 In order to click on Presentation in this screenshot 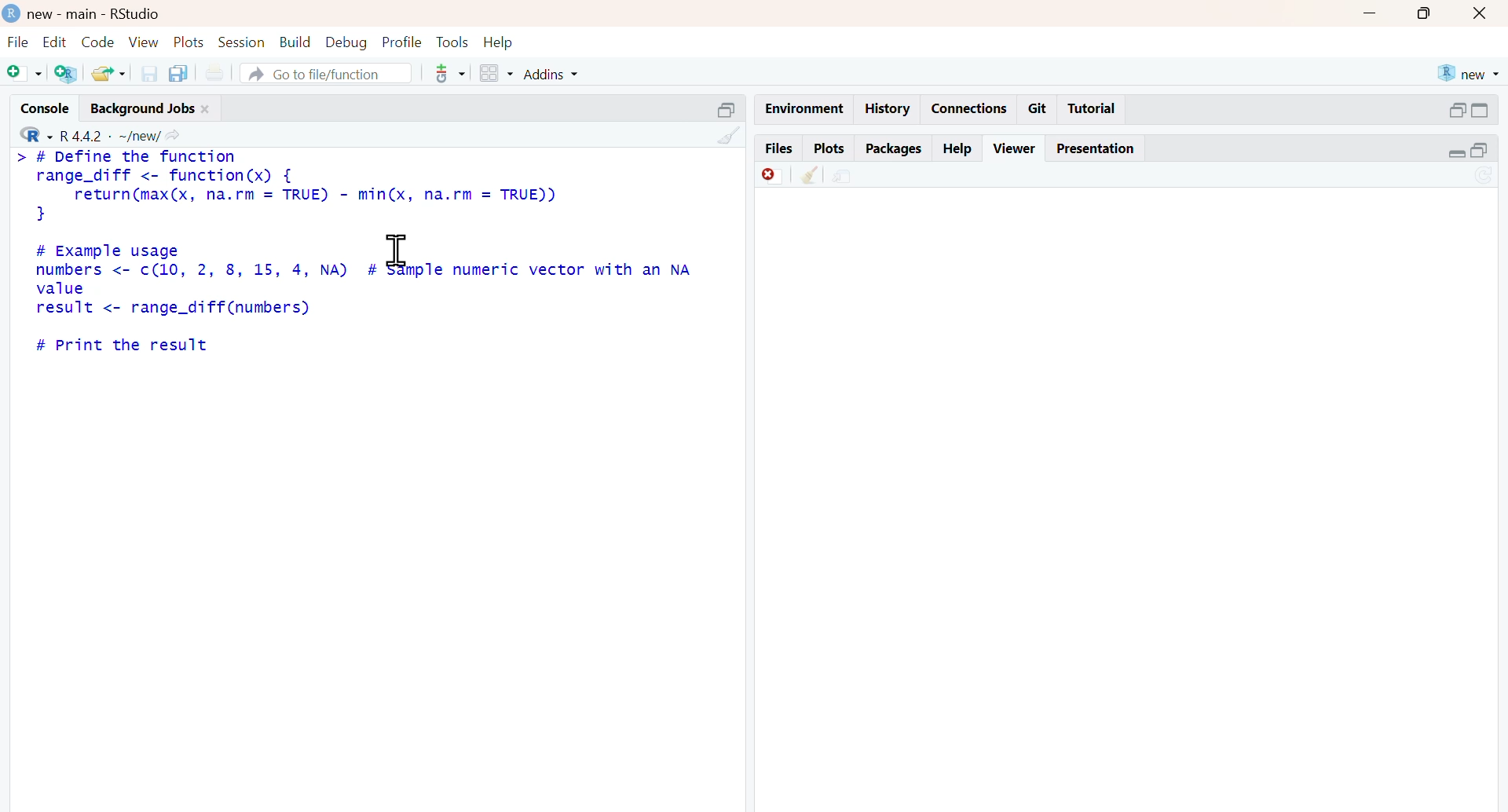, I will do `click(1096, 148)`.